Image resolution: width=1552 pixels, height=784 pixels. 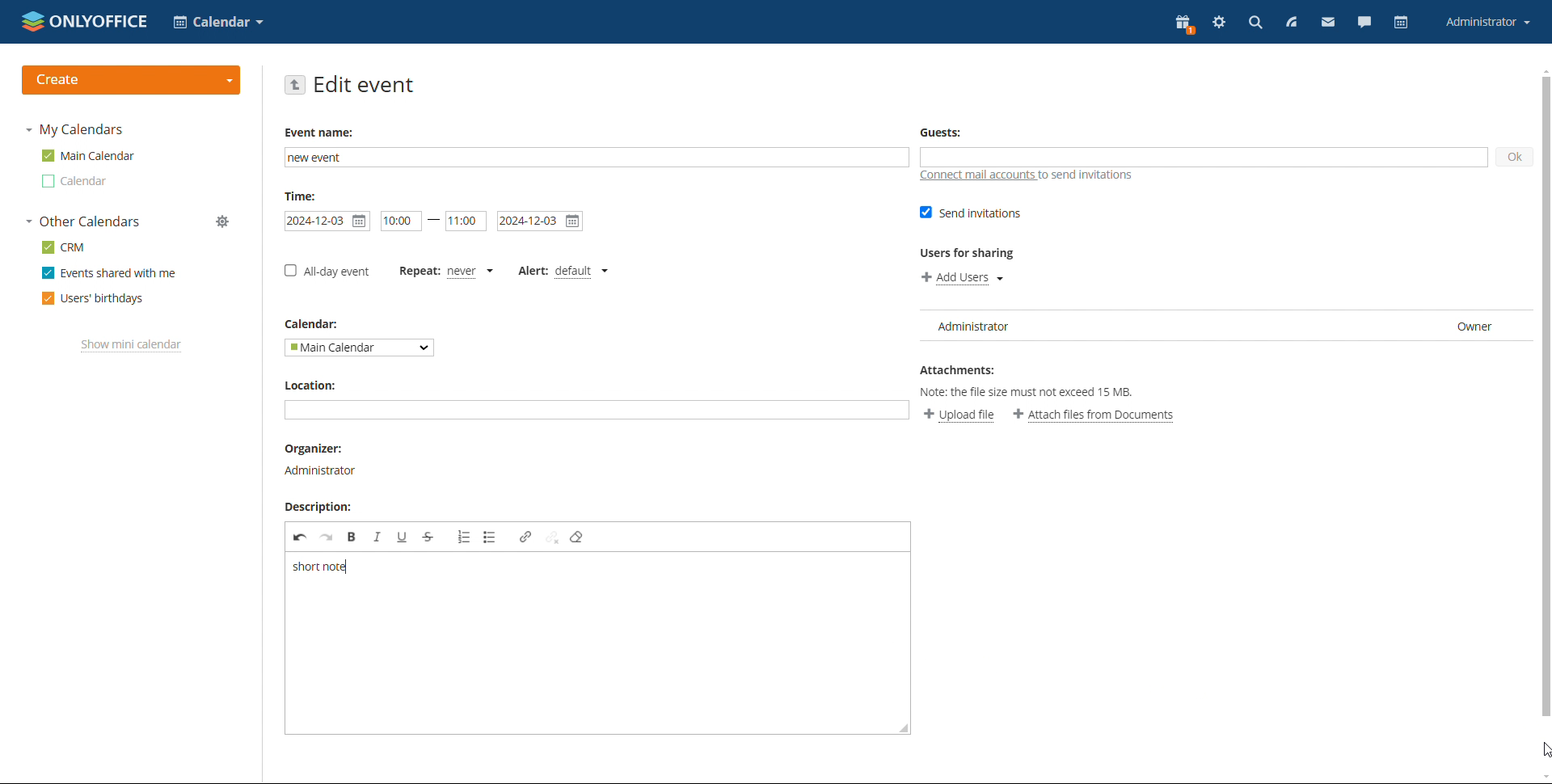 I want to click on Location:, so click(x=315, y=386).